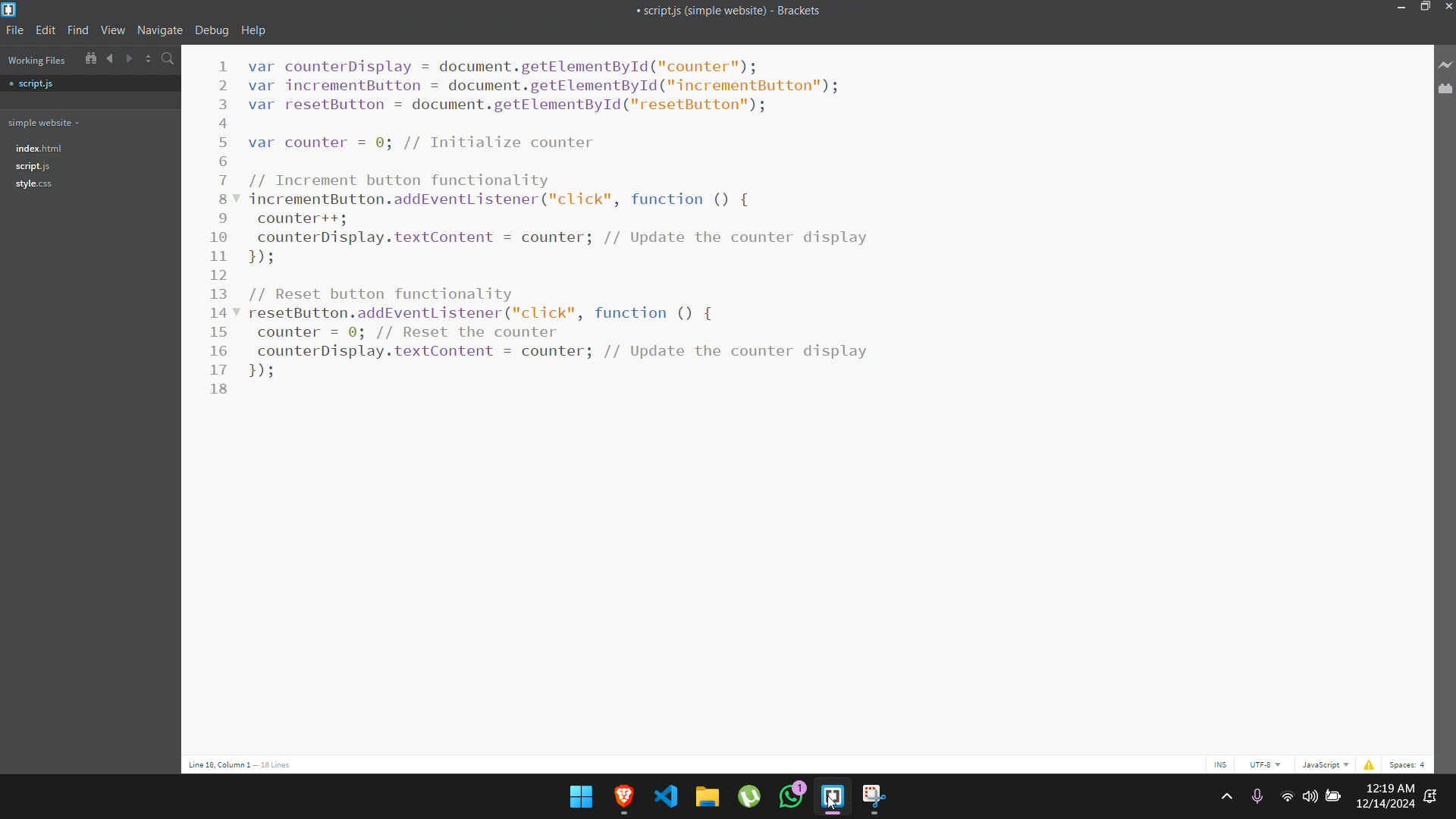  I want to click on find, so click(77, 30).